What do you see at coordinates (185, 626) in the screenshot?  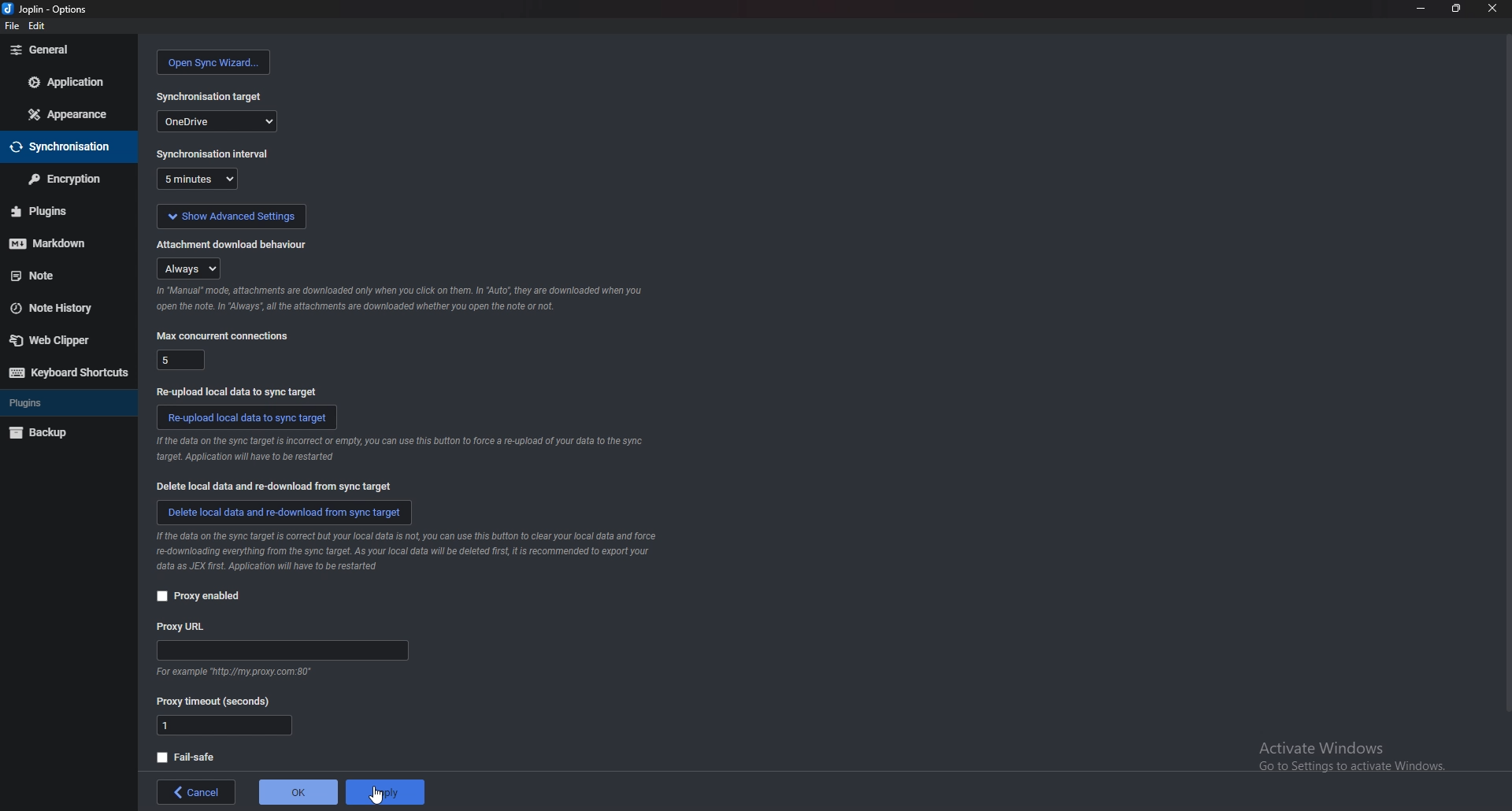 I see `proxy url` at bounding box center [185, 626].